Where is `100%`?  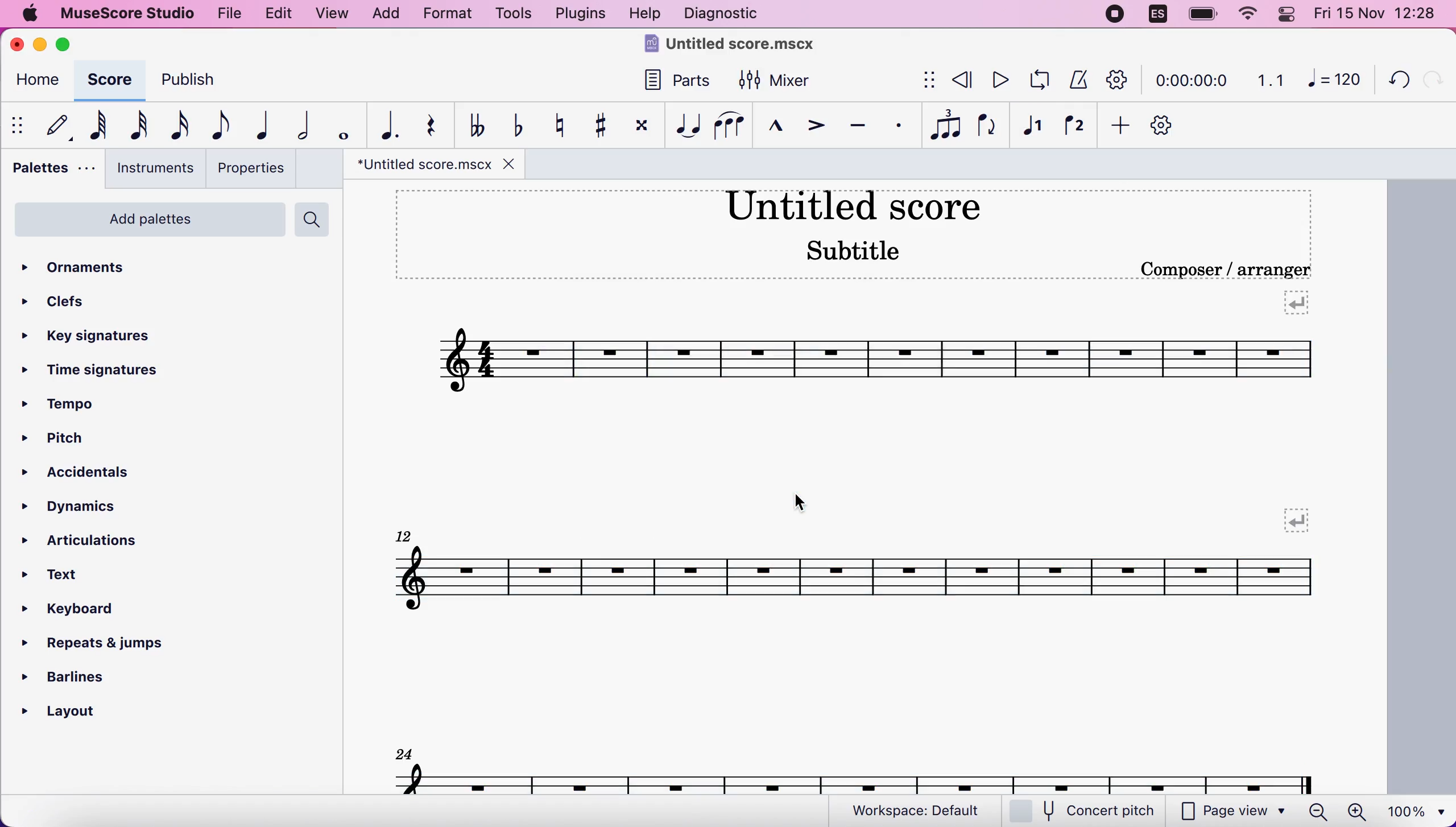 100% is located at coordinates (1413, 810).